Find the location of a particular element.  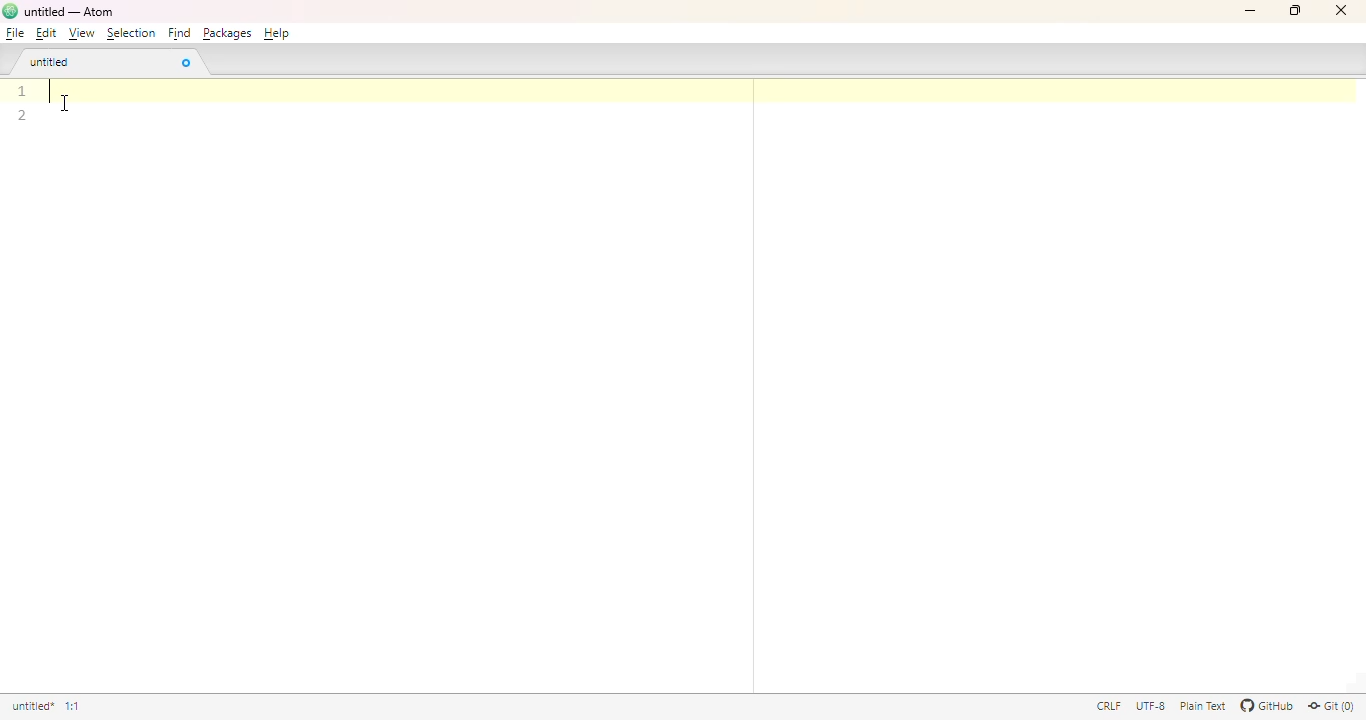

close is located at coordinates (1341, 11).